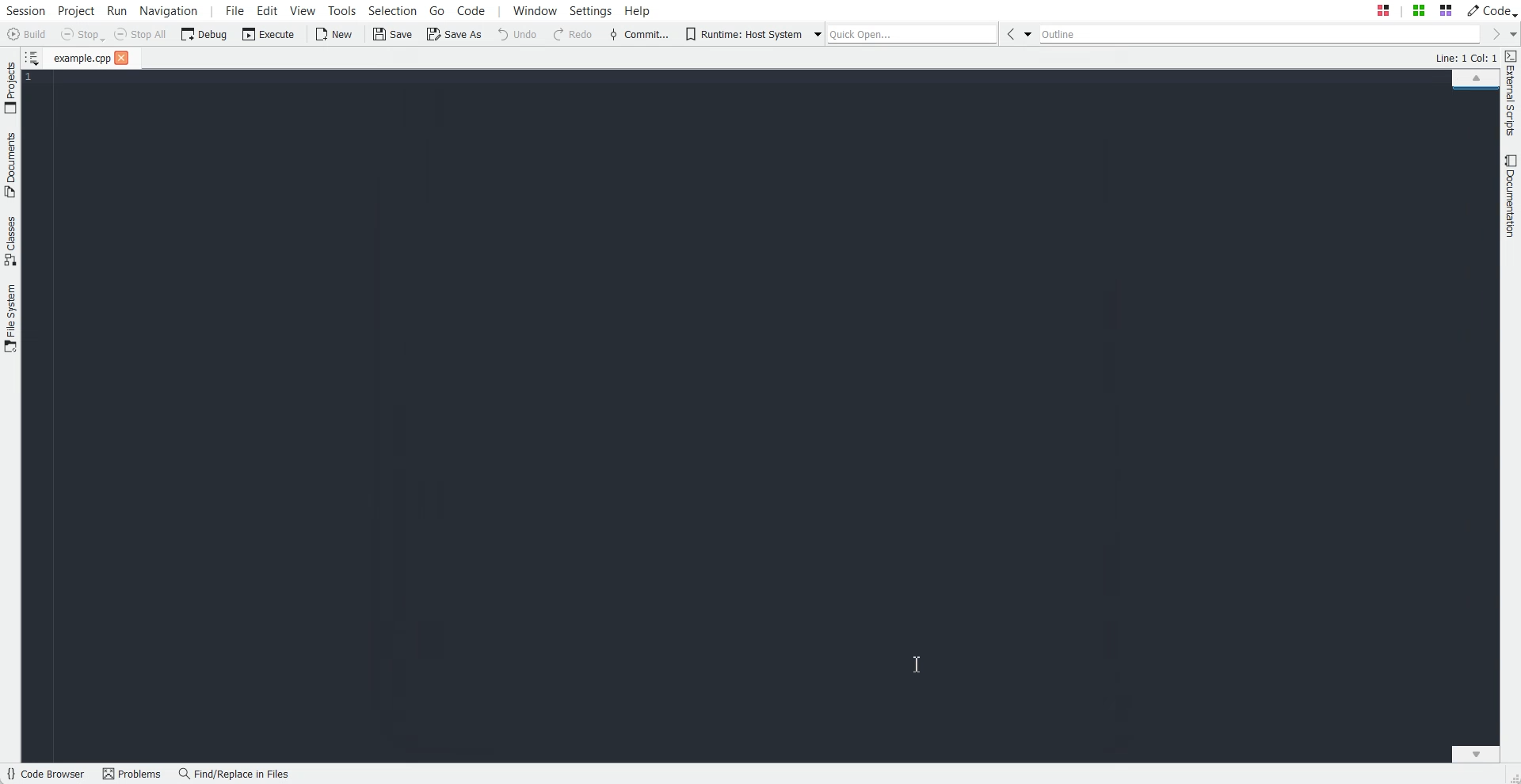 Image resolution: width=1521 pixels, height=784 pixels. Describe the element at coordinates (33, 56) in the screenshot. I see `Show sorted list` at that location.